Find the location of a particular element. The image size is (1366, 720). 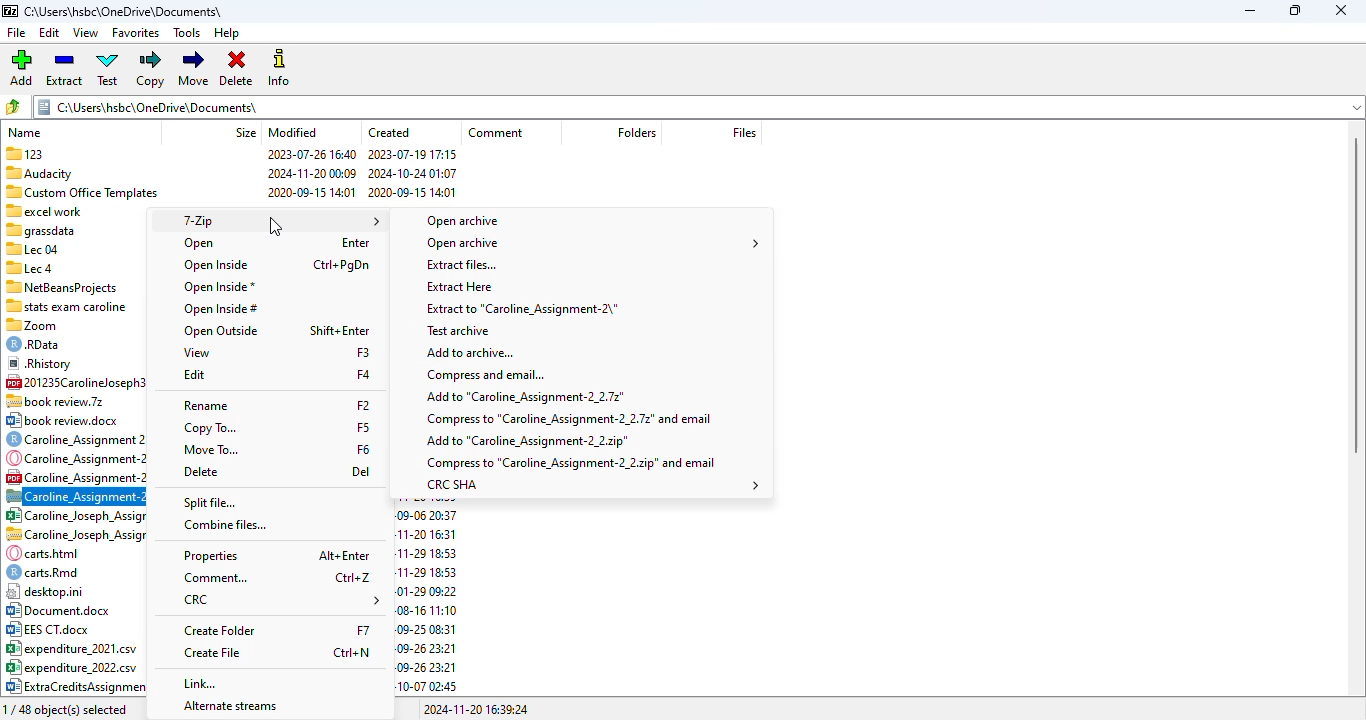

181 192 is located at coordinates (345, 709).